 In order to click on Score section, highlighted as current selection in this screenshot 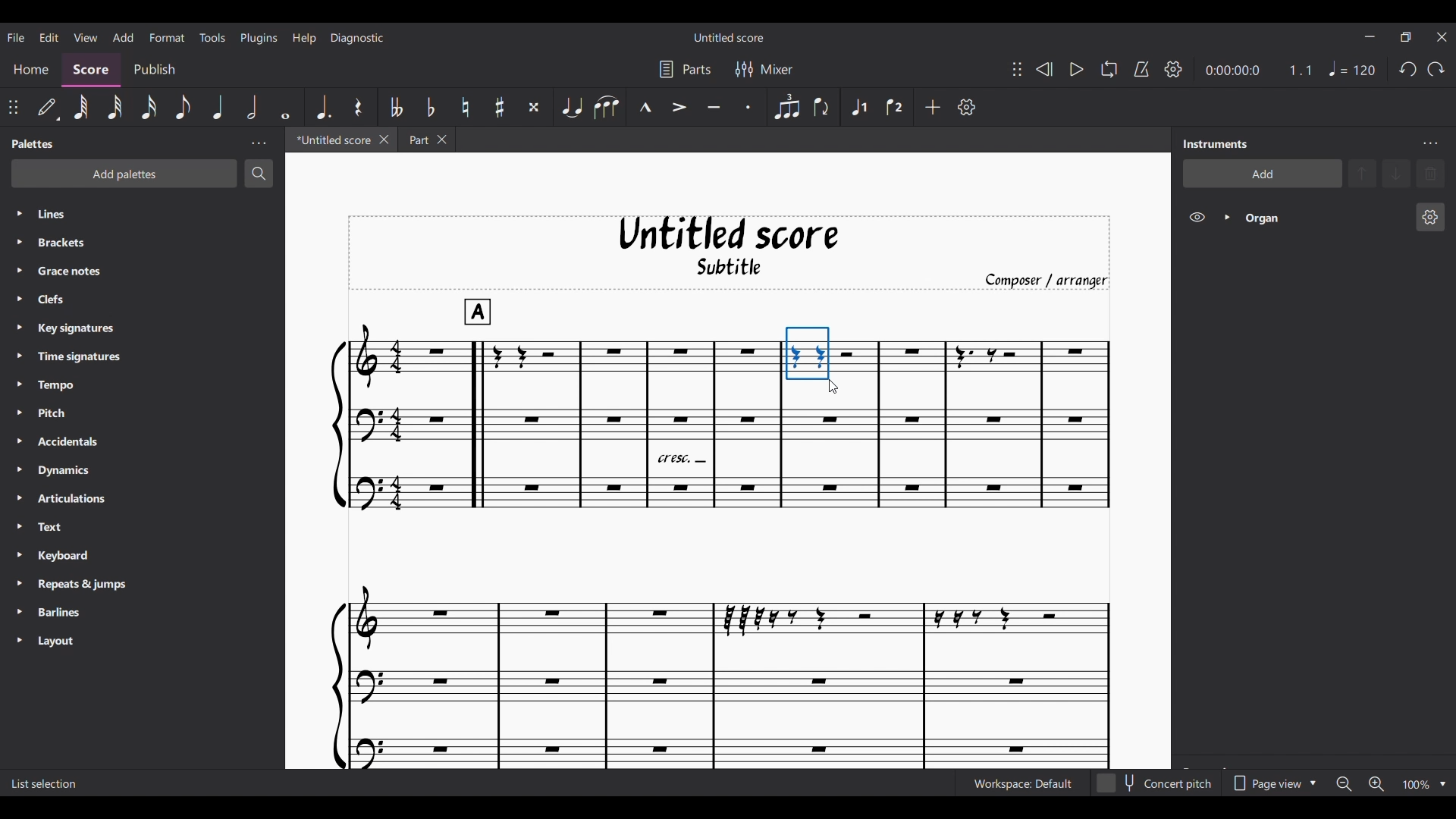, I will do `click(90, 70)`.